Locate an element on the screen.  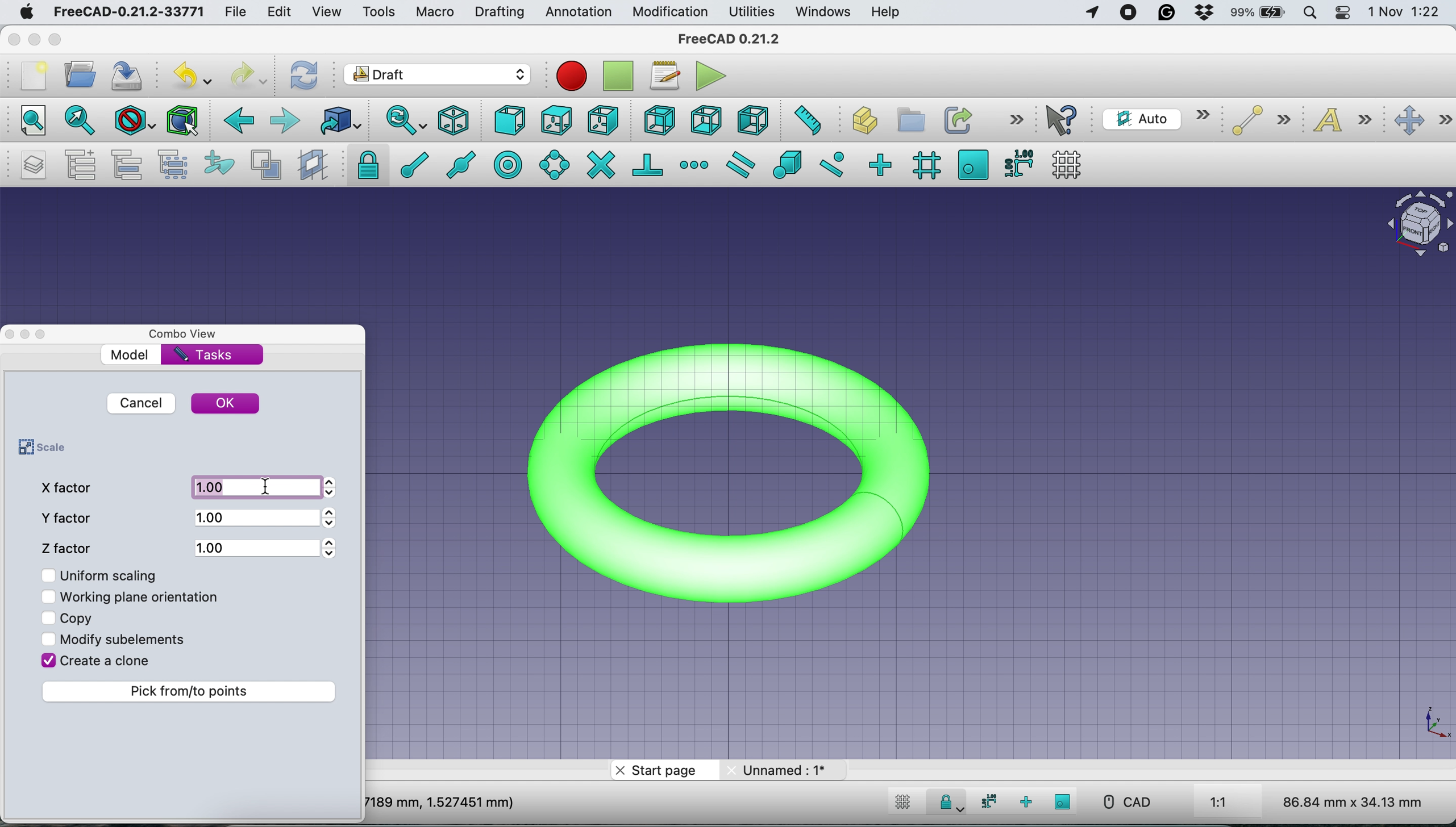
front is located at coordinates (509, 122).